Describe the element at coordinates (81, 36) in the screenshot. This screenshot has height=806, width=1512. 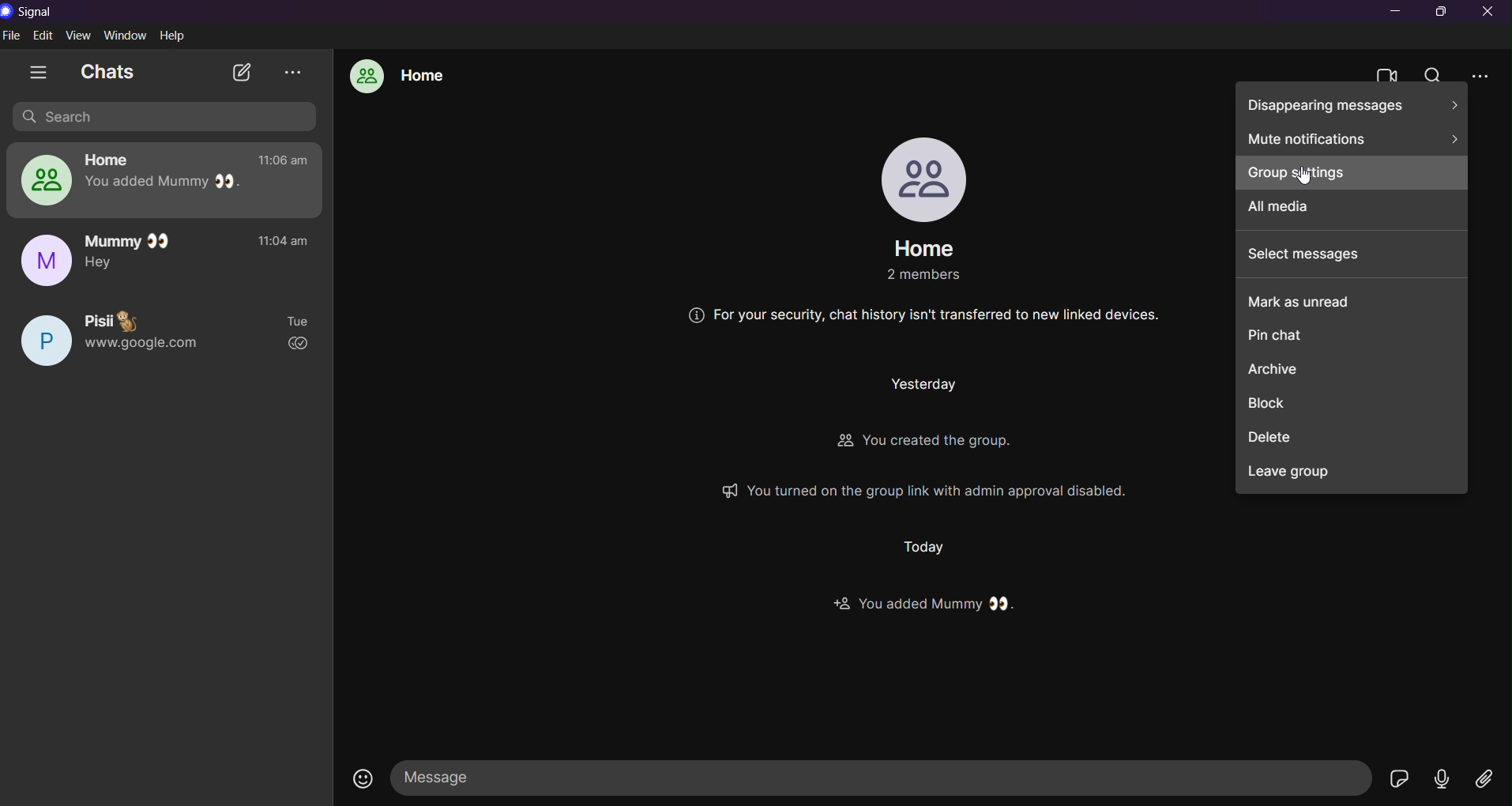
I see `view` at that location.